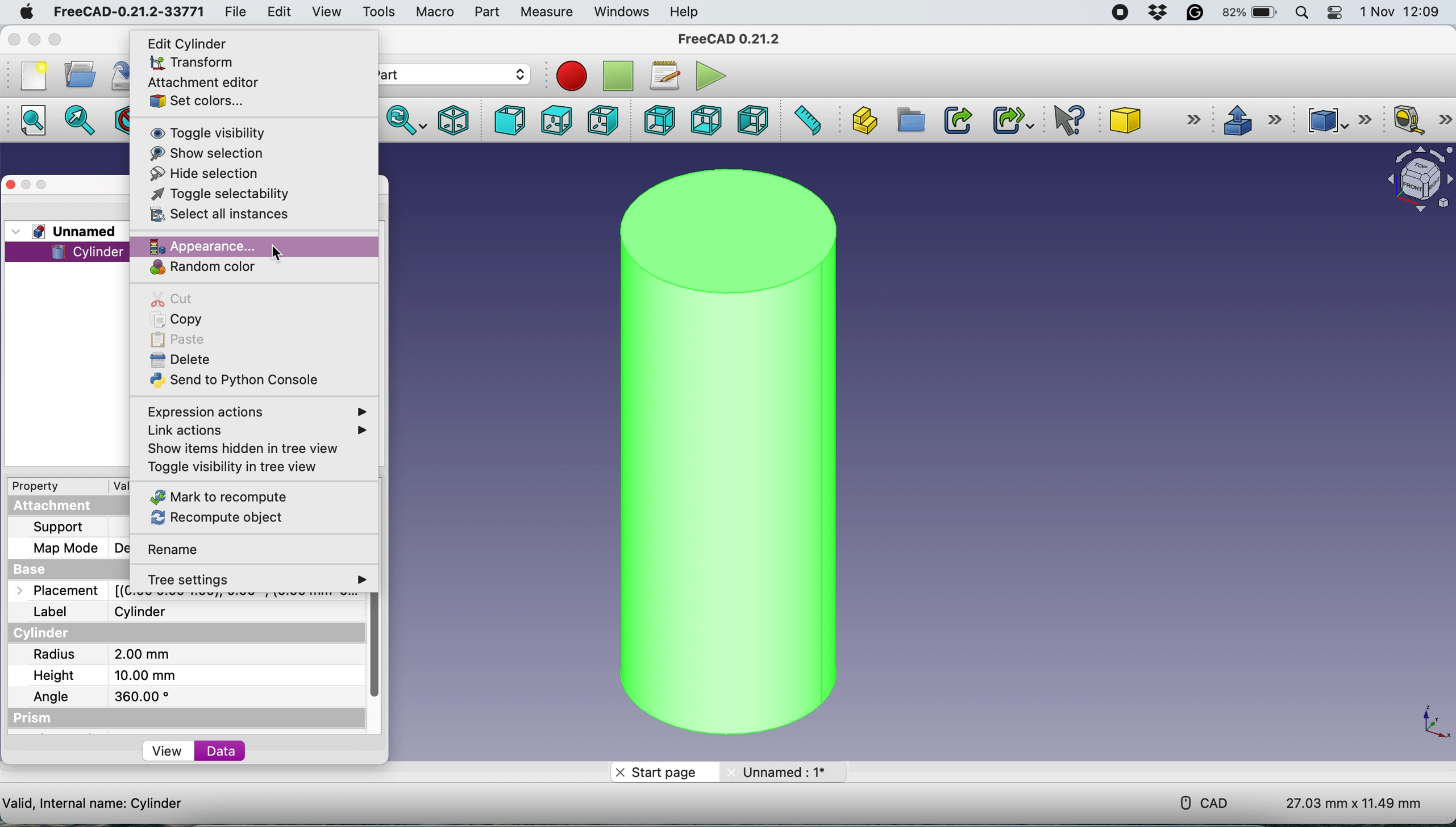 The height and width of the screenshot is (827, 1456). What do you see at coordinates (124, 488) in the screenshot?
I see `value` at bounding box center [124, 488].